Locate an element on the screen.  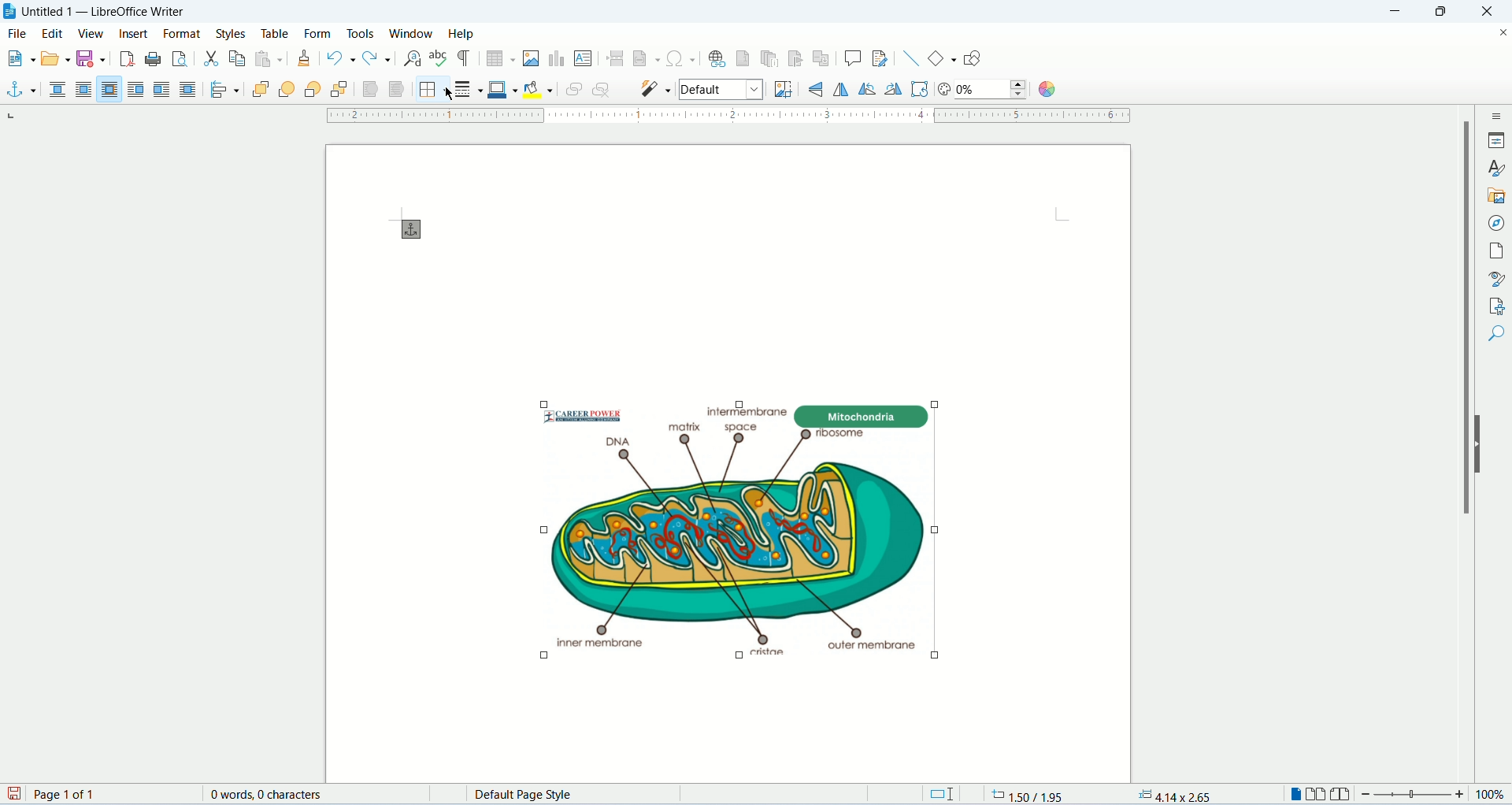
format is located at coordinates (183, 34).